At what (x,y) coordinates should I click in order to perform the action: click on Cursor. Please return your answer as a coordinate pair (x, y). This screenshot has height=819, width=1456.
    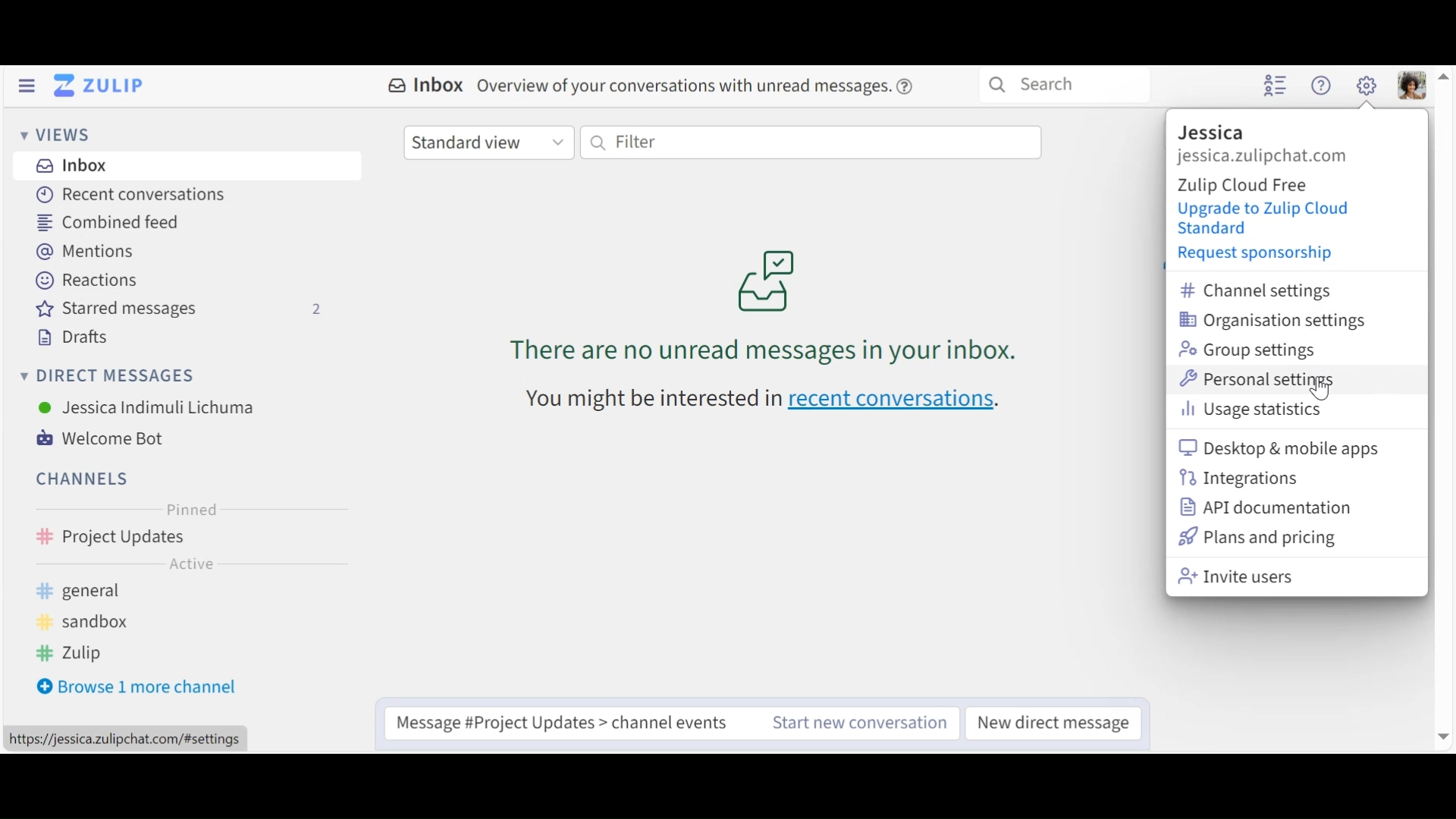
    Looking at the image, I should click on (1324, 388).